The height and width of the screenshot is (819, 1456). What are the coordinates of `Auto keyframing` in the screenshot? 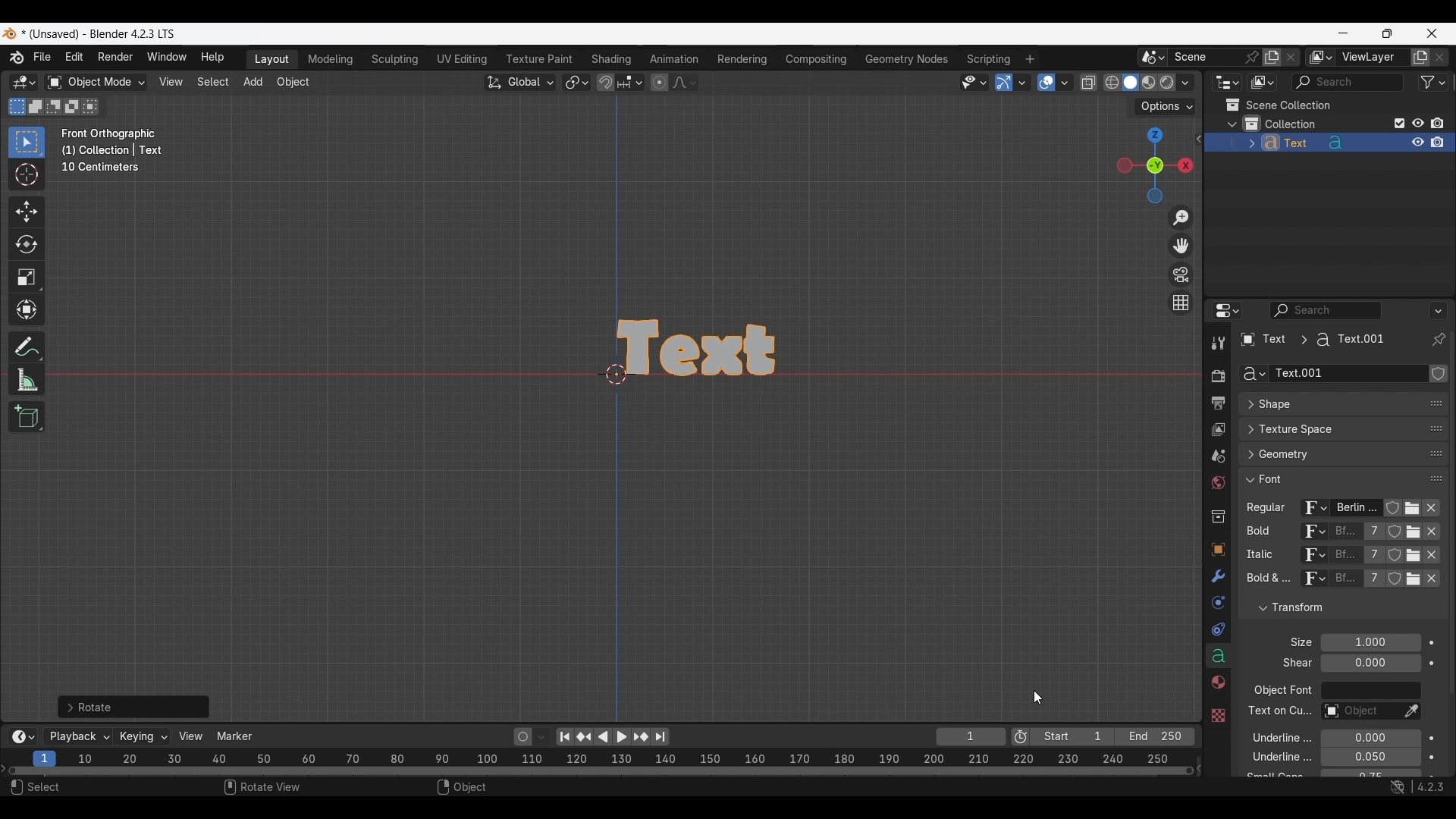 It's located at (541, 737).